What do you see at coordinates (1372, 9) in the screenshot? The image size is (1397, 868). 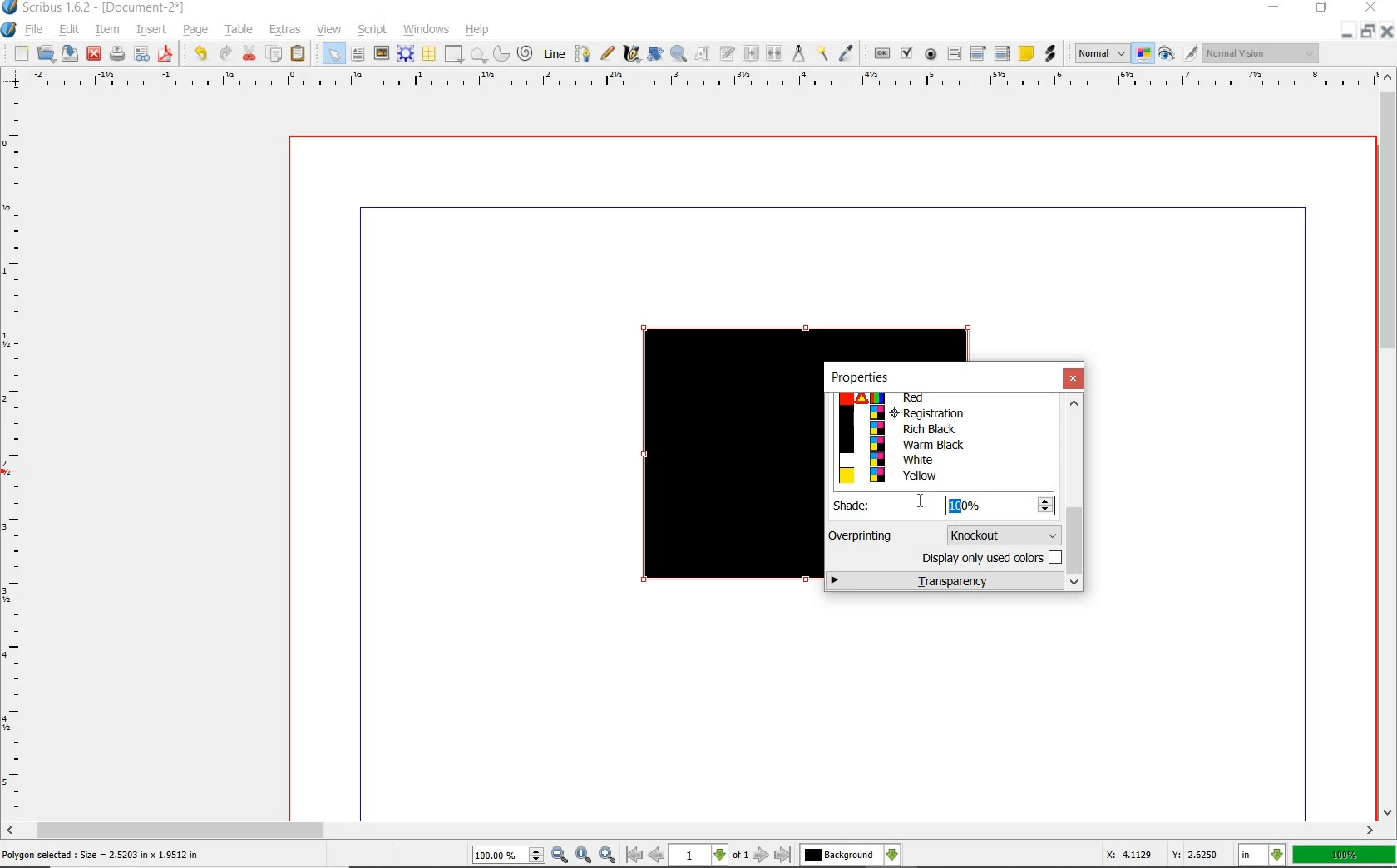 I see `CLOSE` at bounding box center [1372, 9].